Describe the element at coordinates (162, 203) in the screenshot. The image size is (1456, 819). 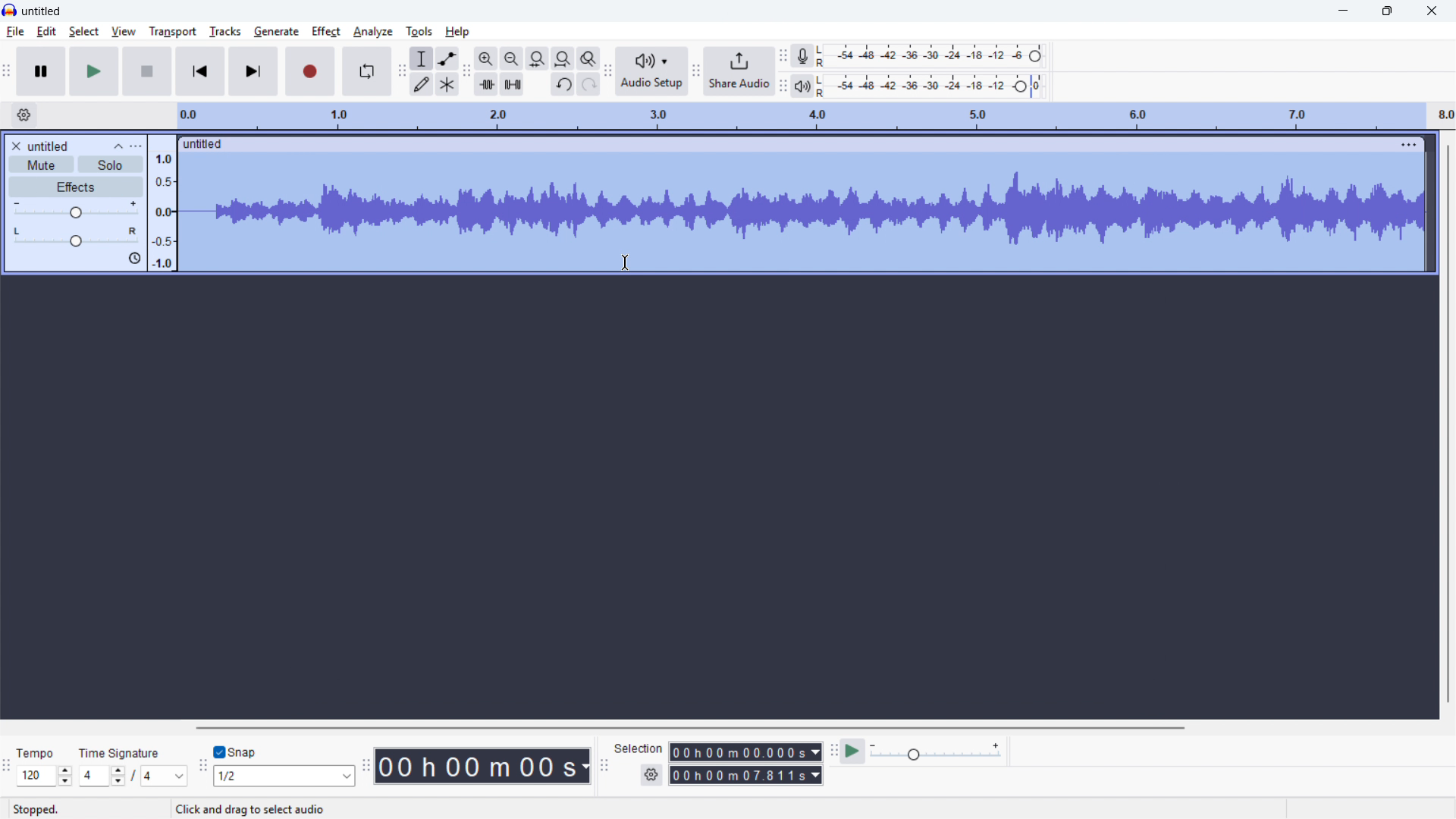
I see `amplitude` at that location.